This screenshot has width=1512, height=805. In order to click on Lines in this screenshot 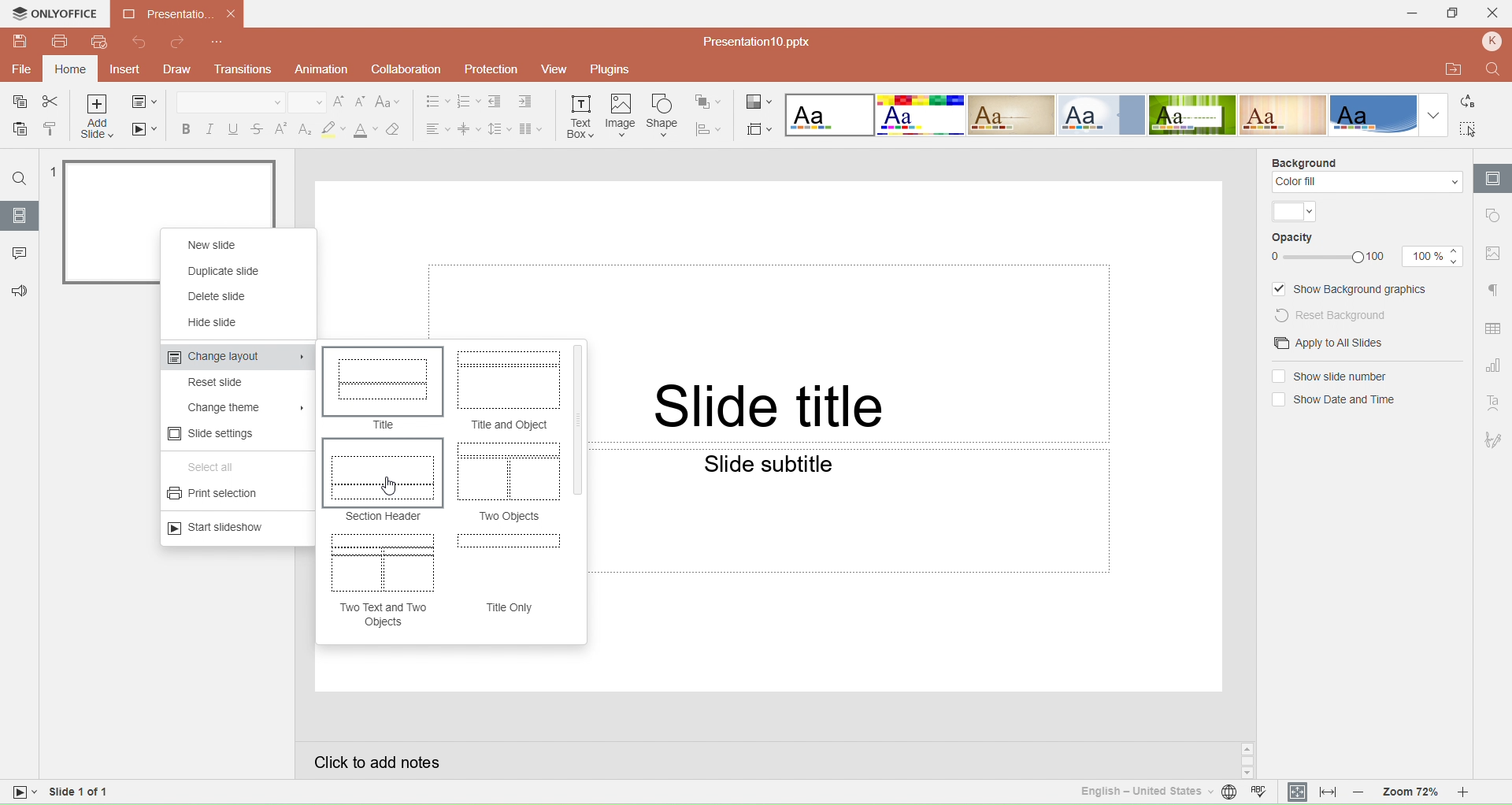, I will do `click(1284, 114)`.